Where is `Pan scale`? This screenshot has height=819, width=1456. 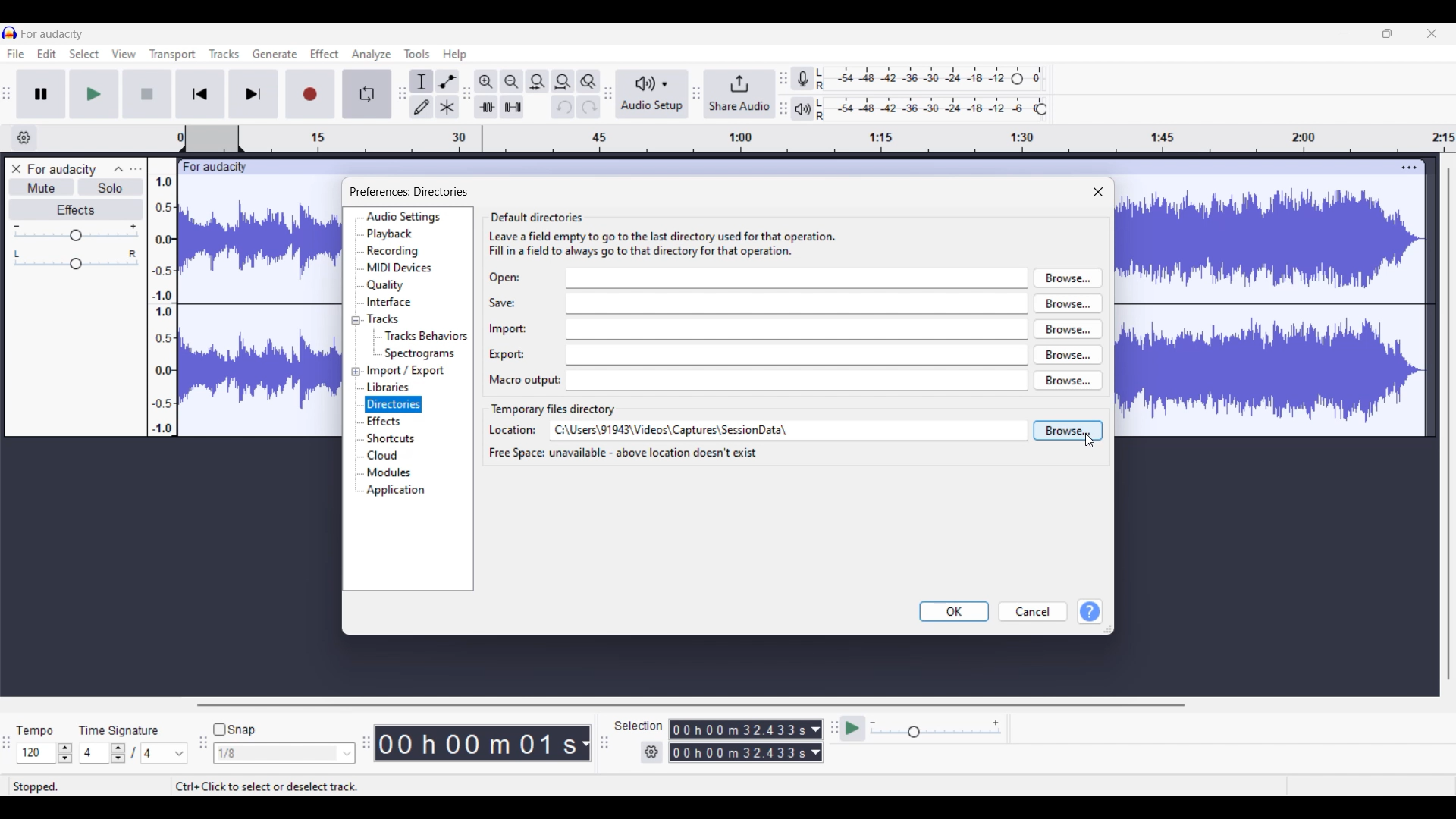
Pan scale is located at coordinates (76, 260).